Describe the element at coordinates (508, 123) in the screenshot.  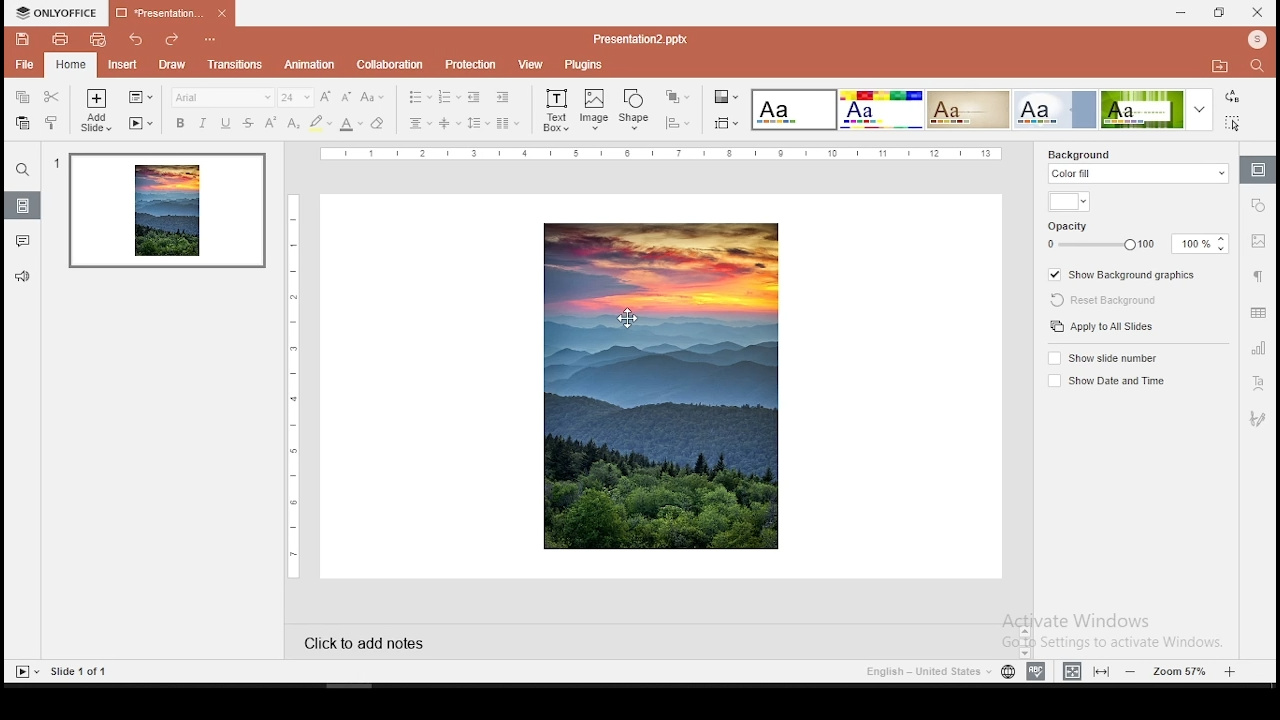
I see `columns` at that location.